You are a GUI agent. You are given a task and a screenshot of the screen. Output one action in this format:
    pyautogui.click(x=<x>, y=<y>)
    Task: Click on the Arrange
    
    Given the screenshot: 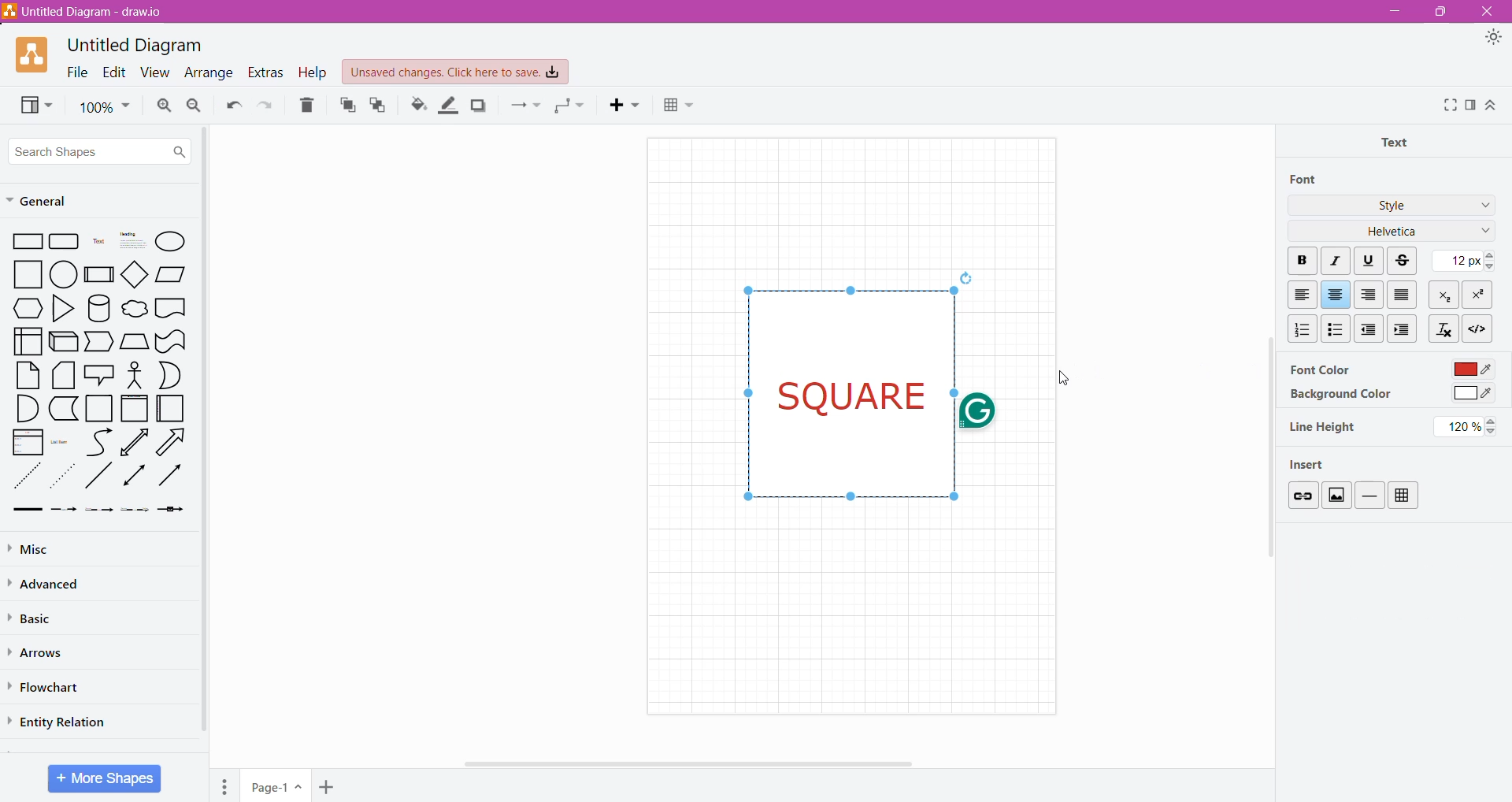 What is the action you would take?
    pyautogui.click(x=210, y=72)
    